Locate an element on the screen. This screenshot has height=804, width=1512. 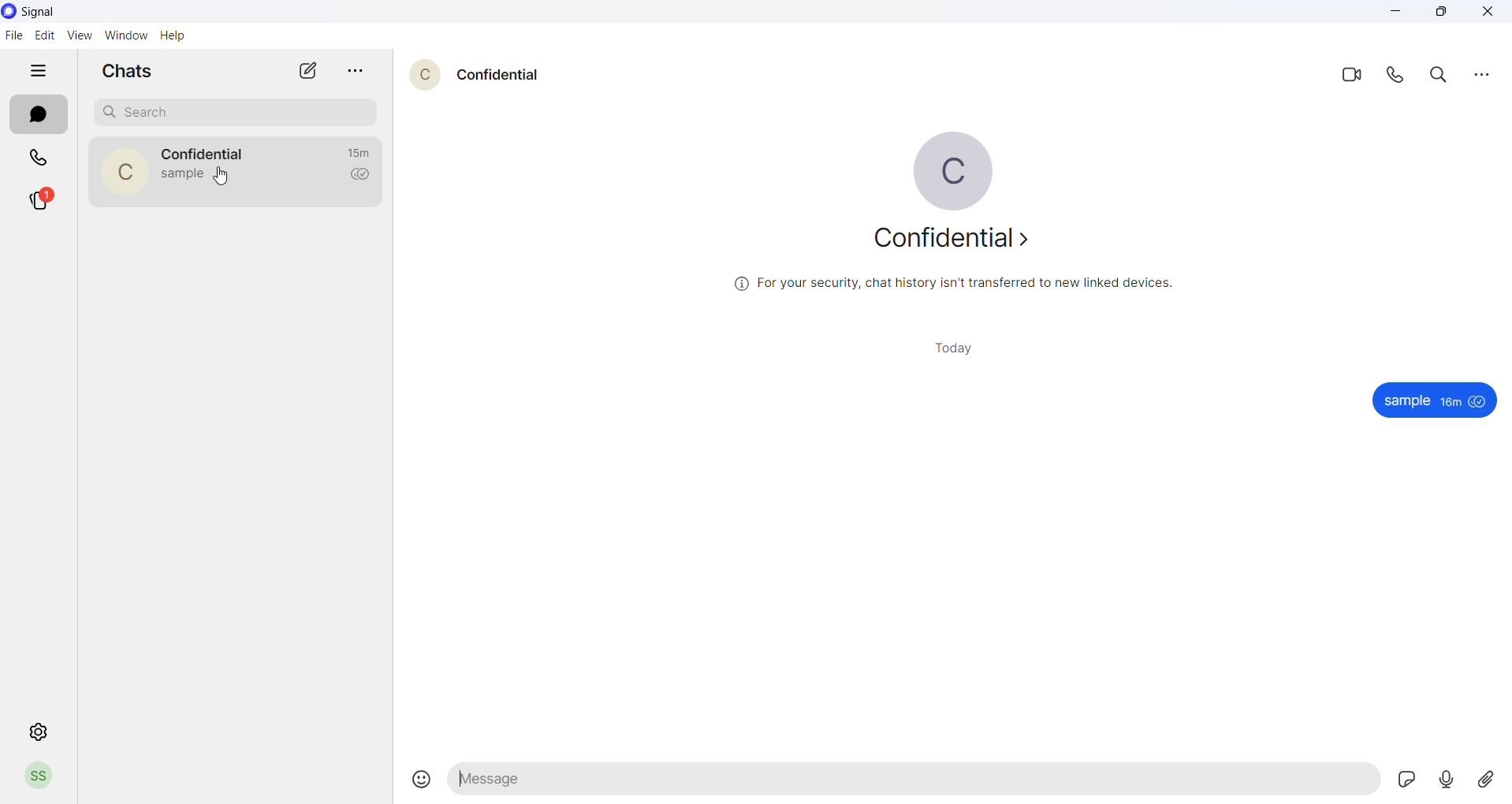
edit is located at coordinates (45, 35).